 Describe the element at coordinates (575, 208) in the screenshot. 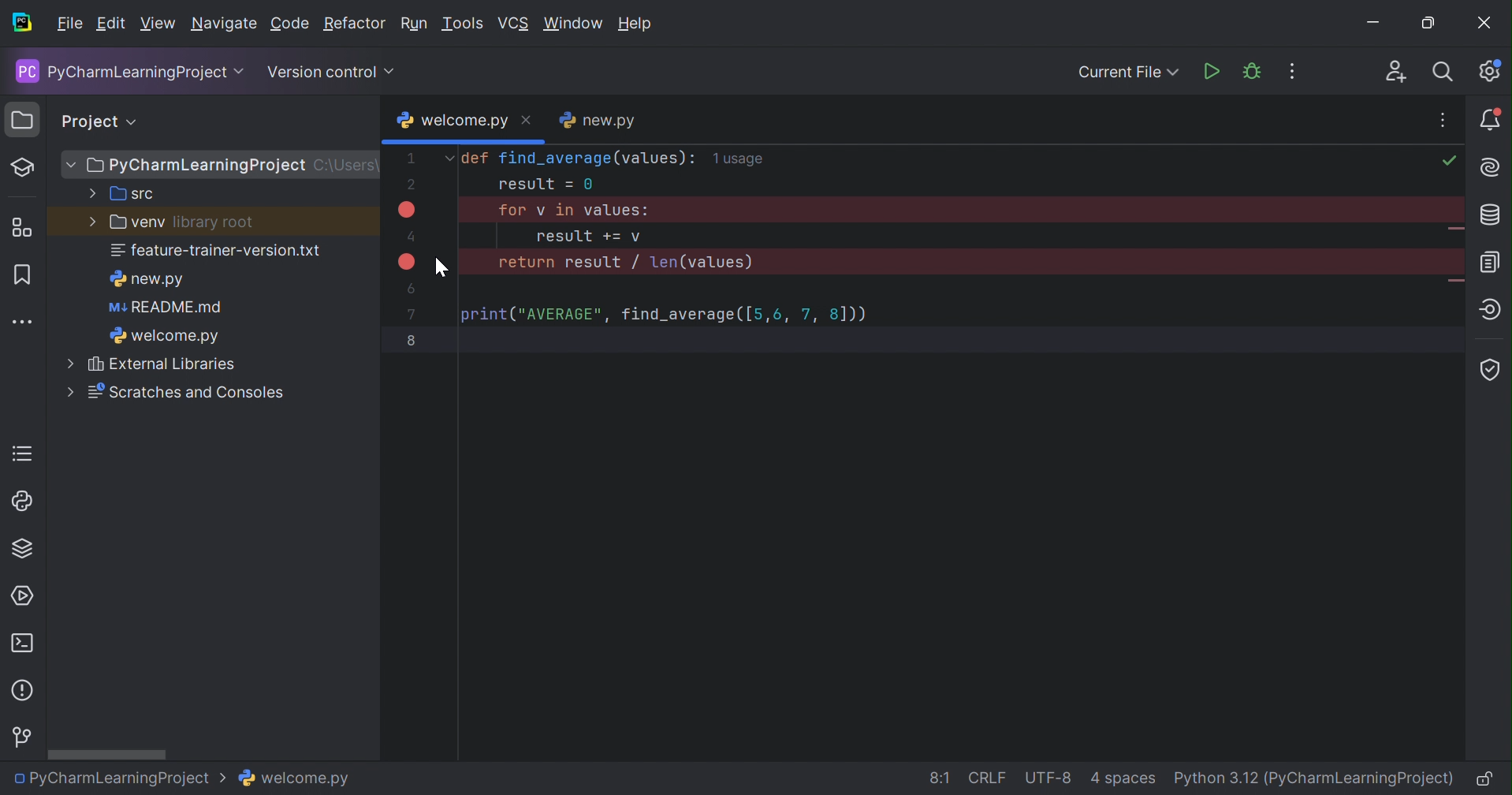

I see `for v in values:` at that location.